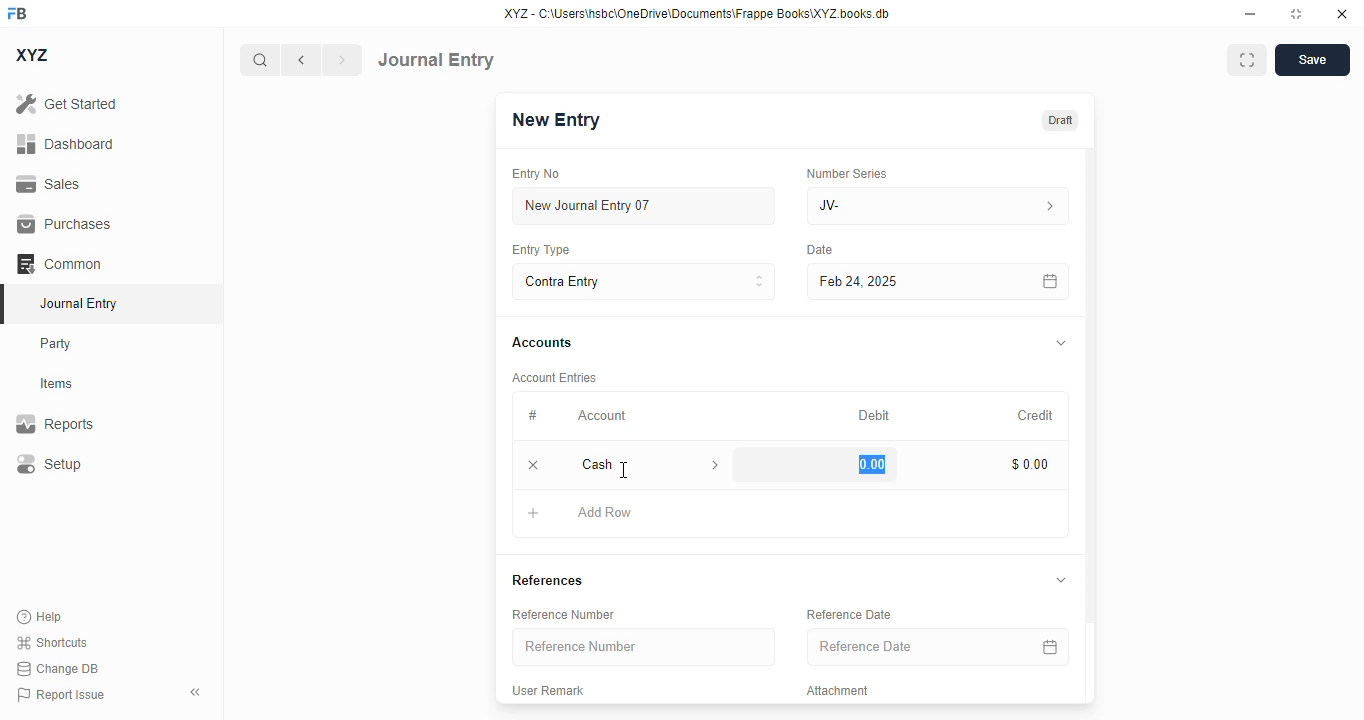 This screenshot has height=720, width=1364. I want to click on draft, so click(1061, 119).